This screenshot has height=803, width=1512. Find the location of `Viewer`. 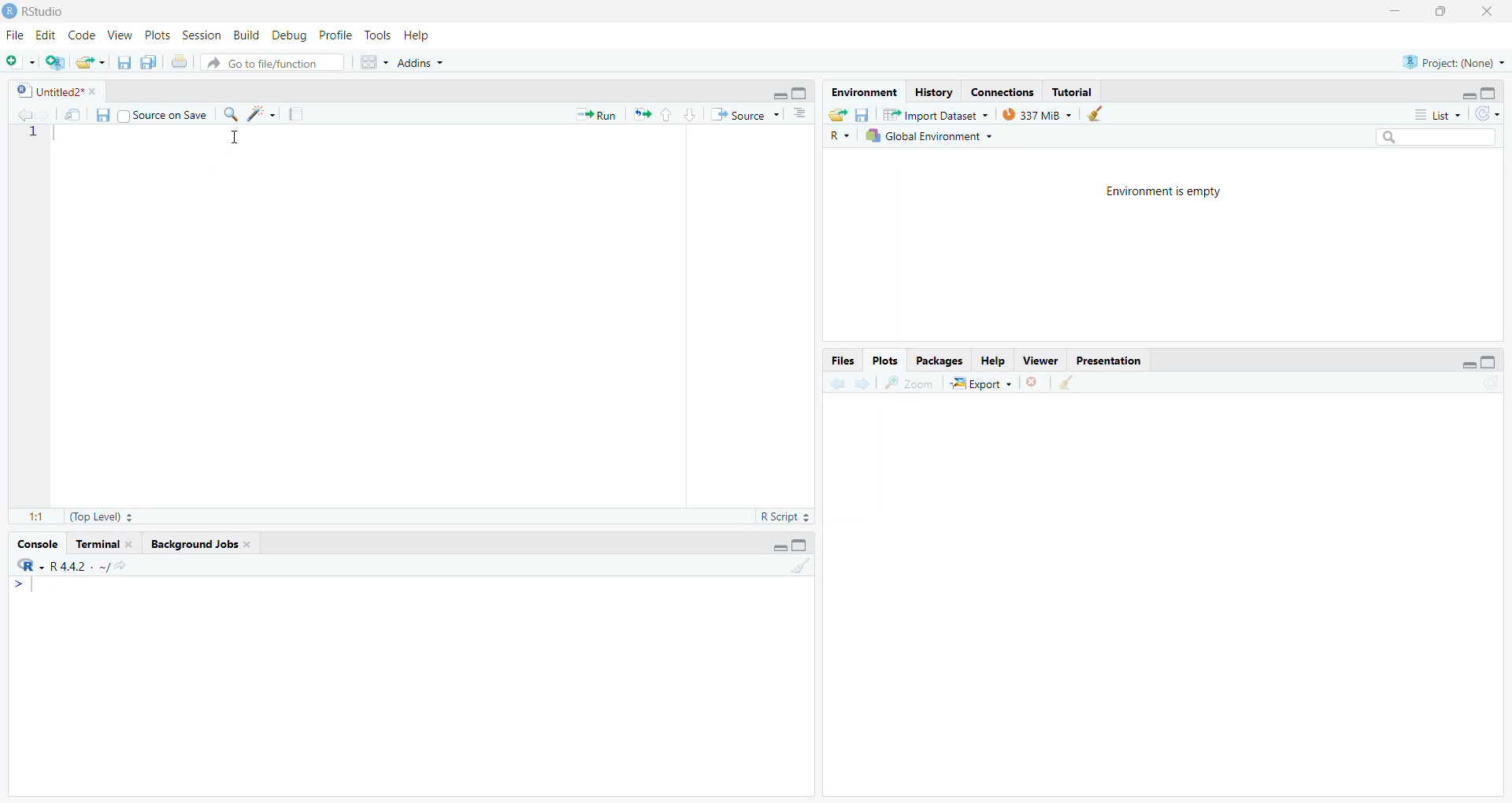

Viewer is located at coordinates (1040, 360).